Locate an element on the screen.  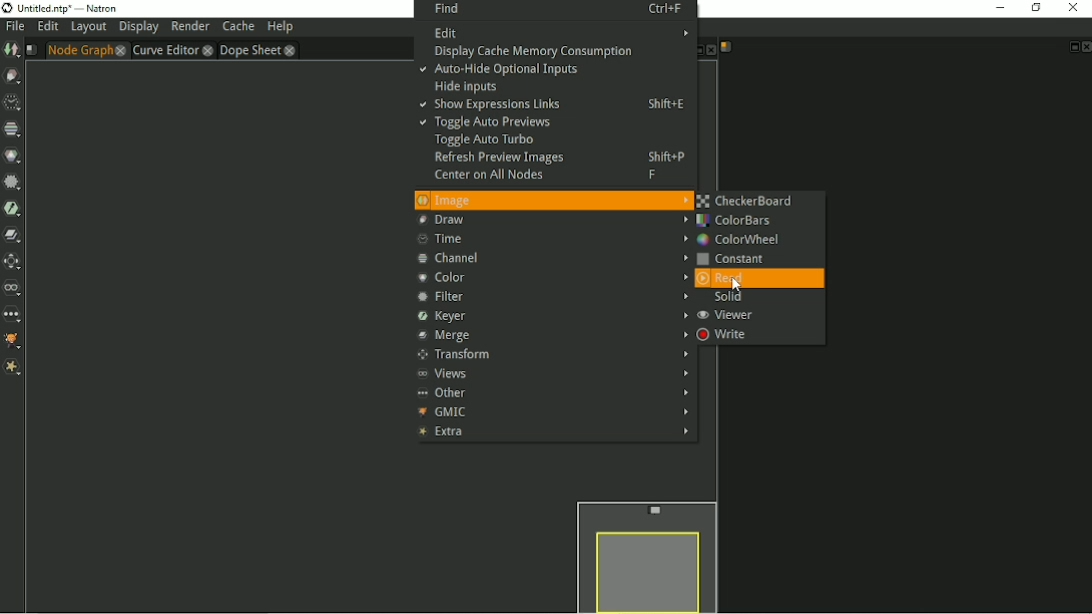
Filter  is located at coordinates (551, 297).